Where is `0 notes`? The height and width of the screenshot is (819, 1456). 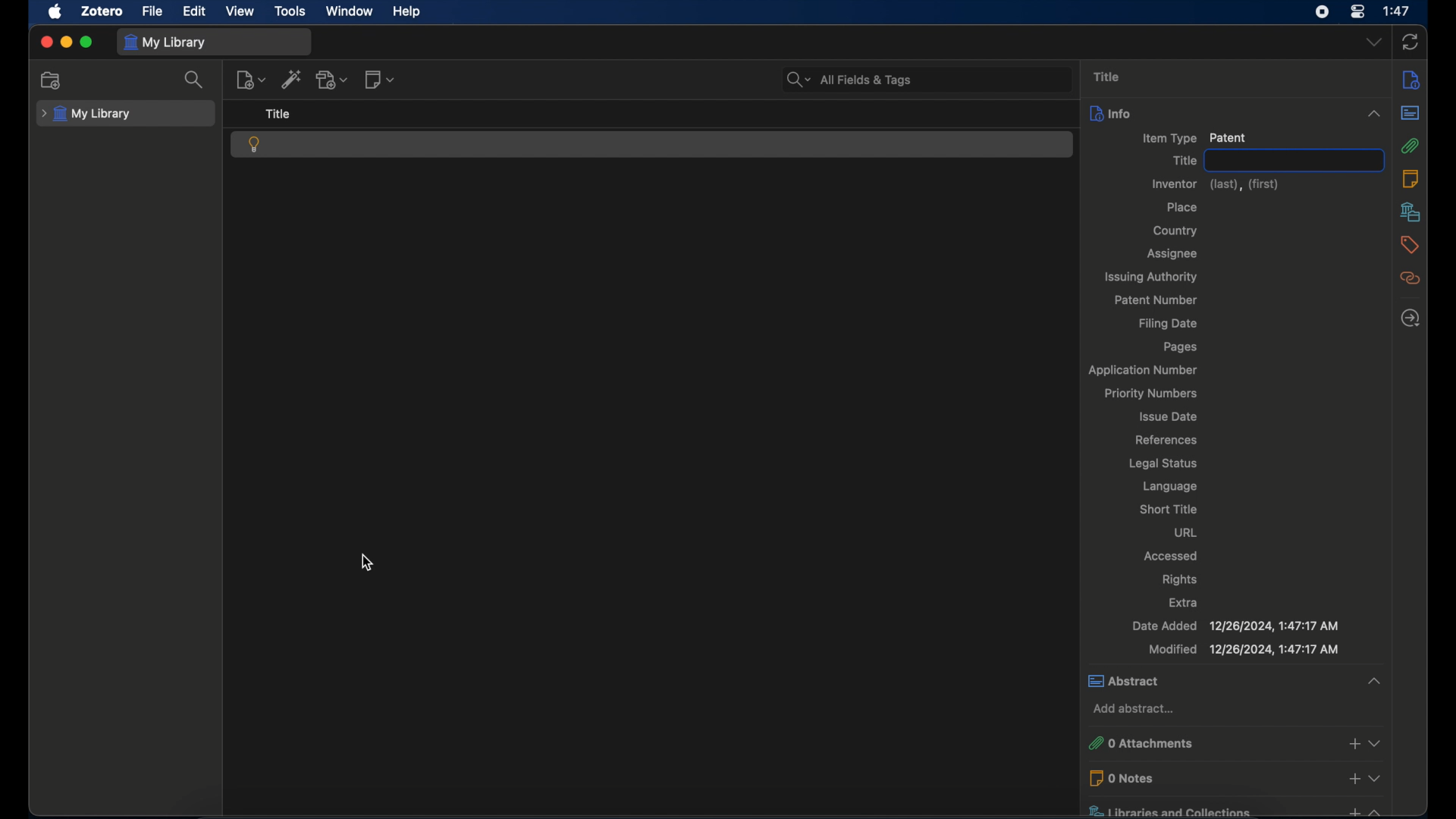
0 notes is located at coordinates (1188, 778).